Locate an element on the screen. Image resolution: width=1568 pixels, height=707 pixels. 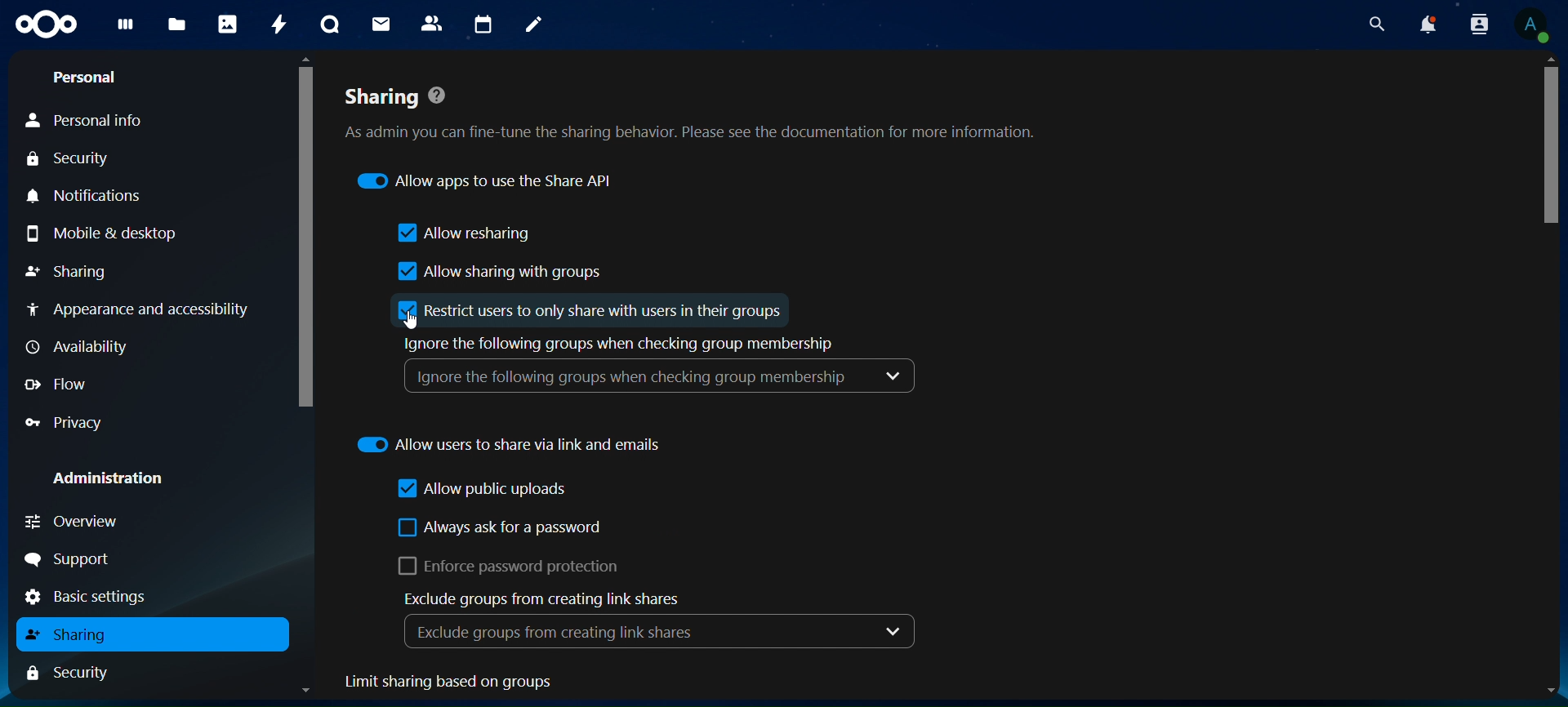
always ask for password is located at coordinates (501, 531).